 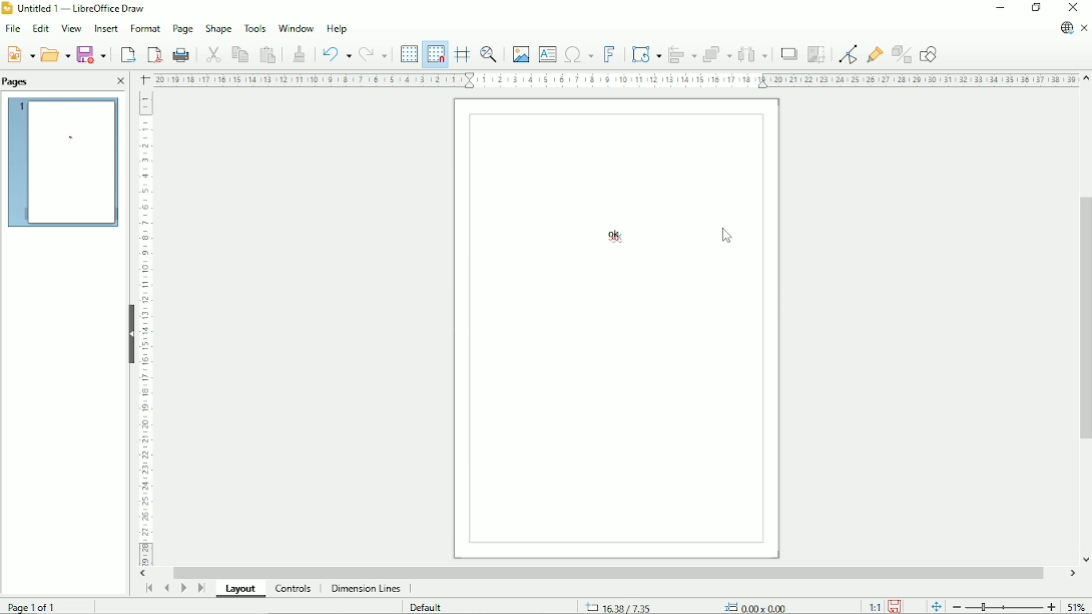 What do you see at coordinates (613, 571) in the screenshot?
I see `Horizontal scrollbar` at bounding box center [613, 571].